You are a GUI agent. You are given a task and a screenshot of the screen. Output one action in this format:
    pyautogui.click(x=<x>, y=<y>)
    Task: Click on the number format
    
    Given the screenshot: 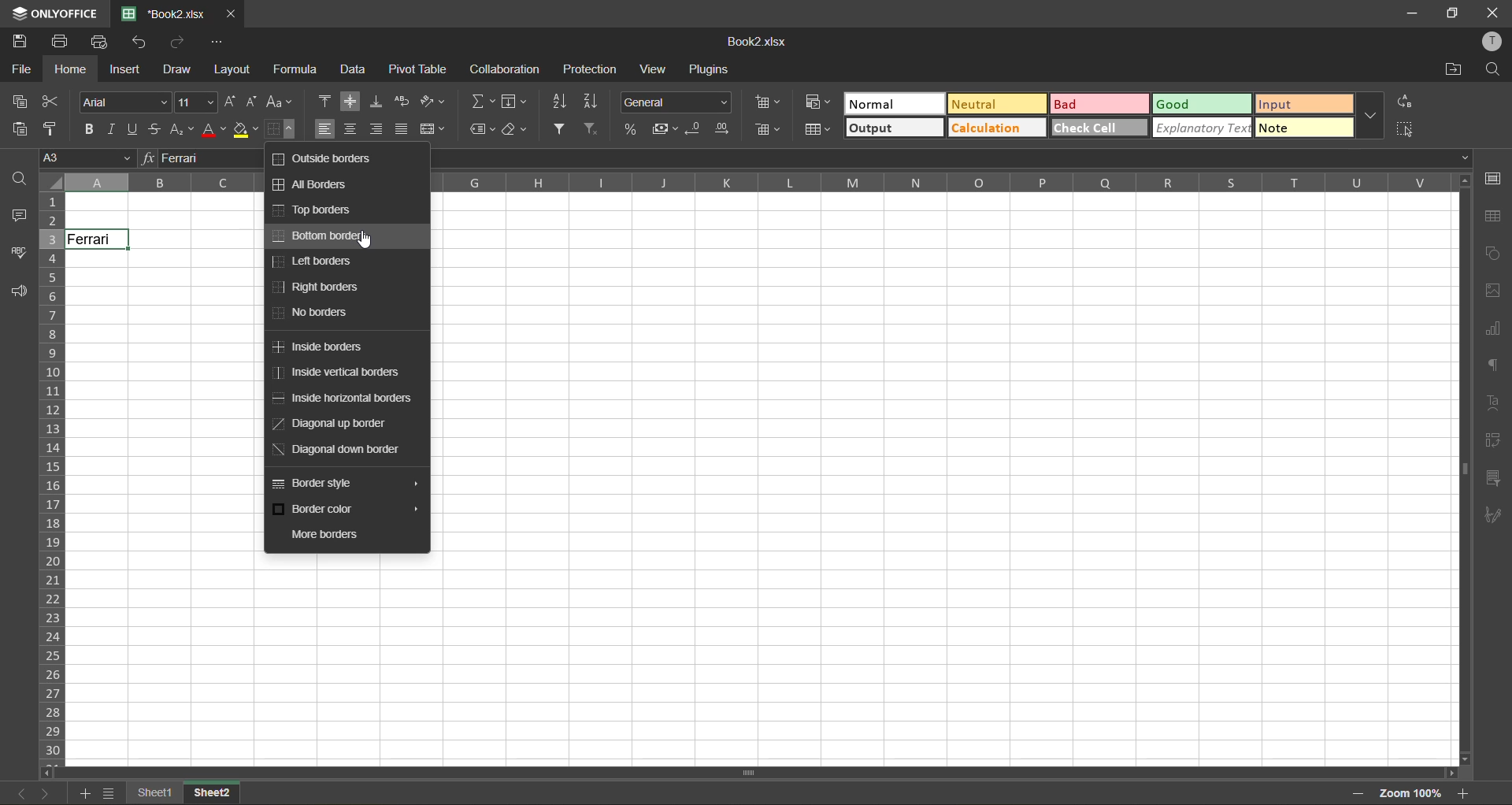 What is the action you would take?
    pyautogui.click(x=675, y=101)
    